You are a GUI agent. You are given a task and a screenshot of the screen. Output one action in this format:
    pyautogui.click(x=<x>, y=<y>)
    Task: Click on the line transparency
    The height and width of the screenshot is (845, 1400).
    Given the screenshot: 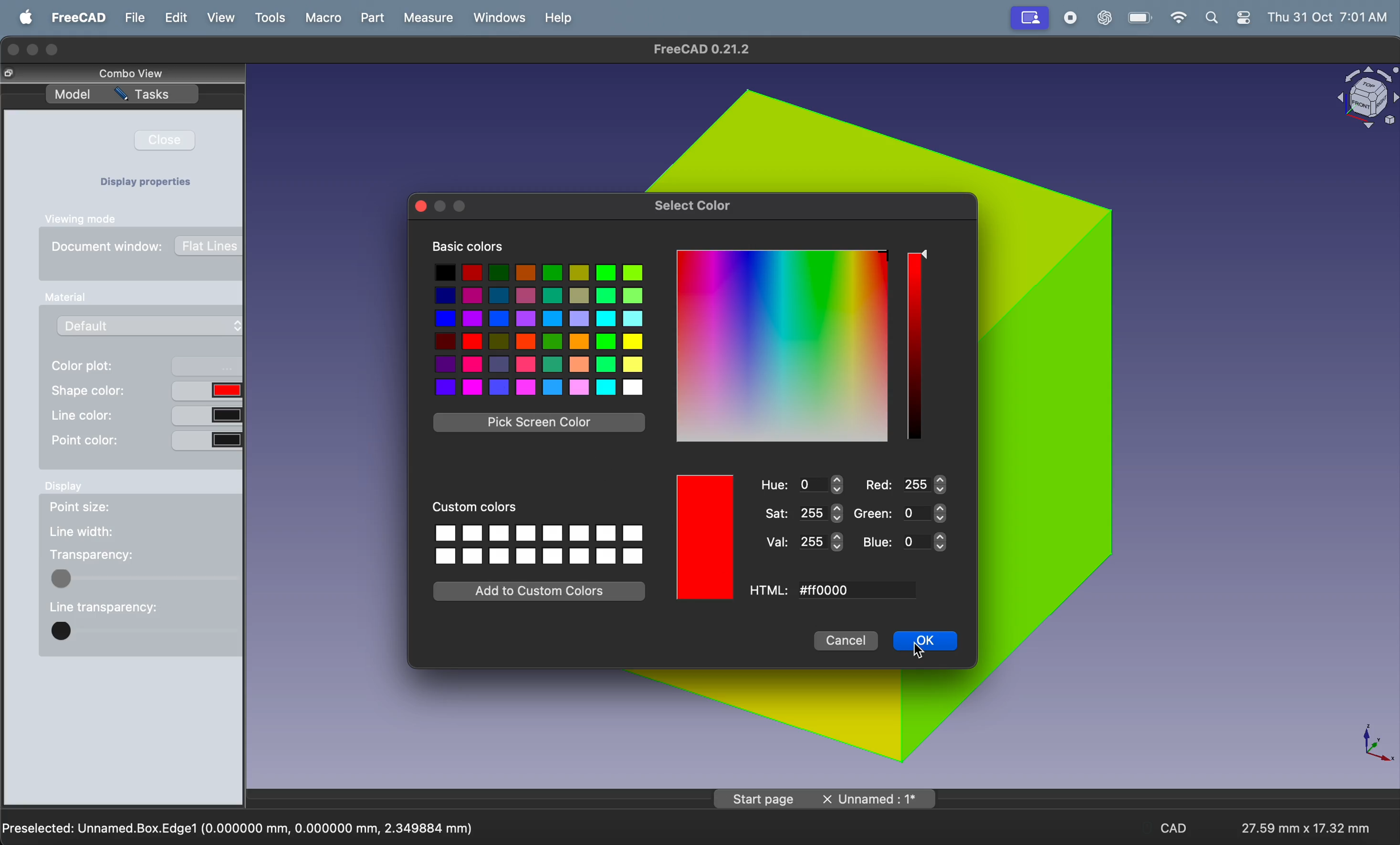 What is the action you would take?
    pyautogui.click(x=103, y=605)
    